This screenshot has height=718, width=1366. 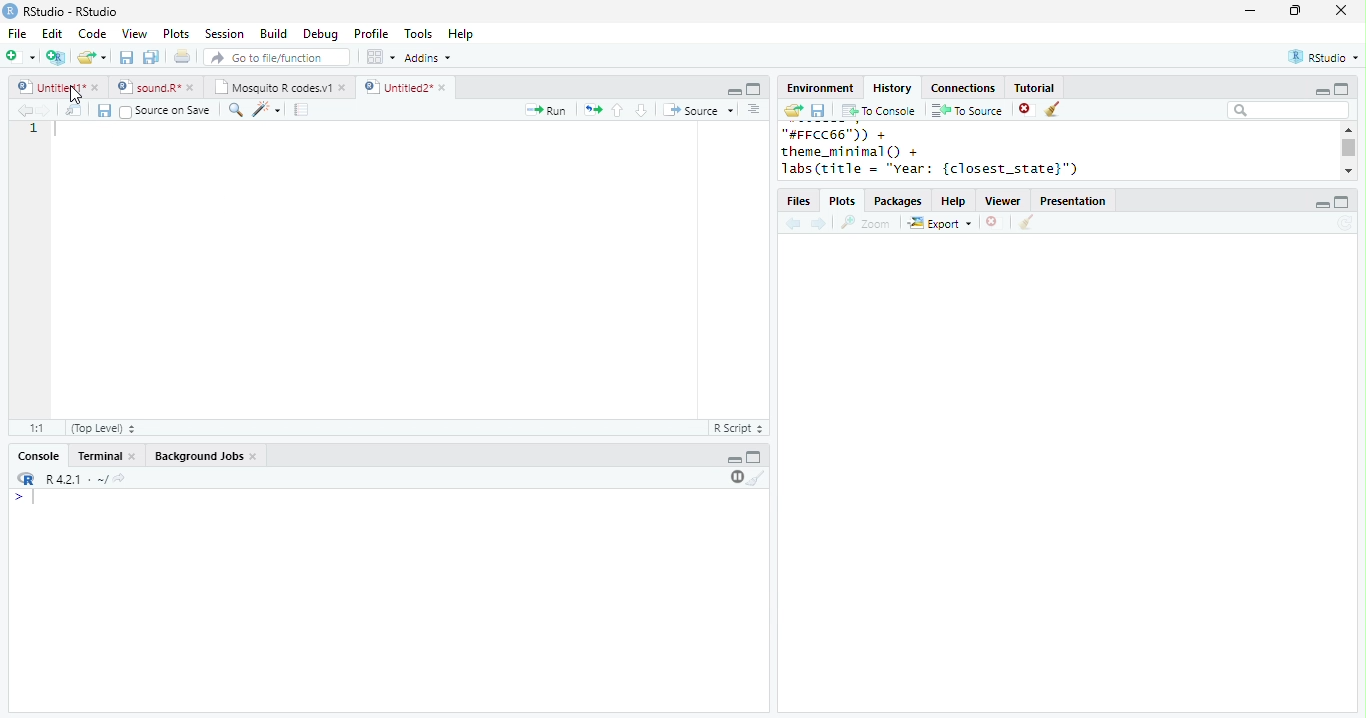 What do you see at coordinates (75, 12) in the screenshot?
I see `RStudio-RStudio` at bounding box center [75, 12].